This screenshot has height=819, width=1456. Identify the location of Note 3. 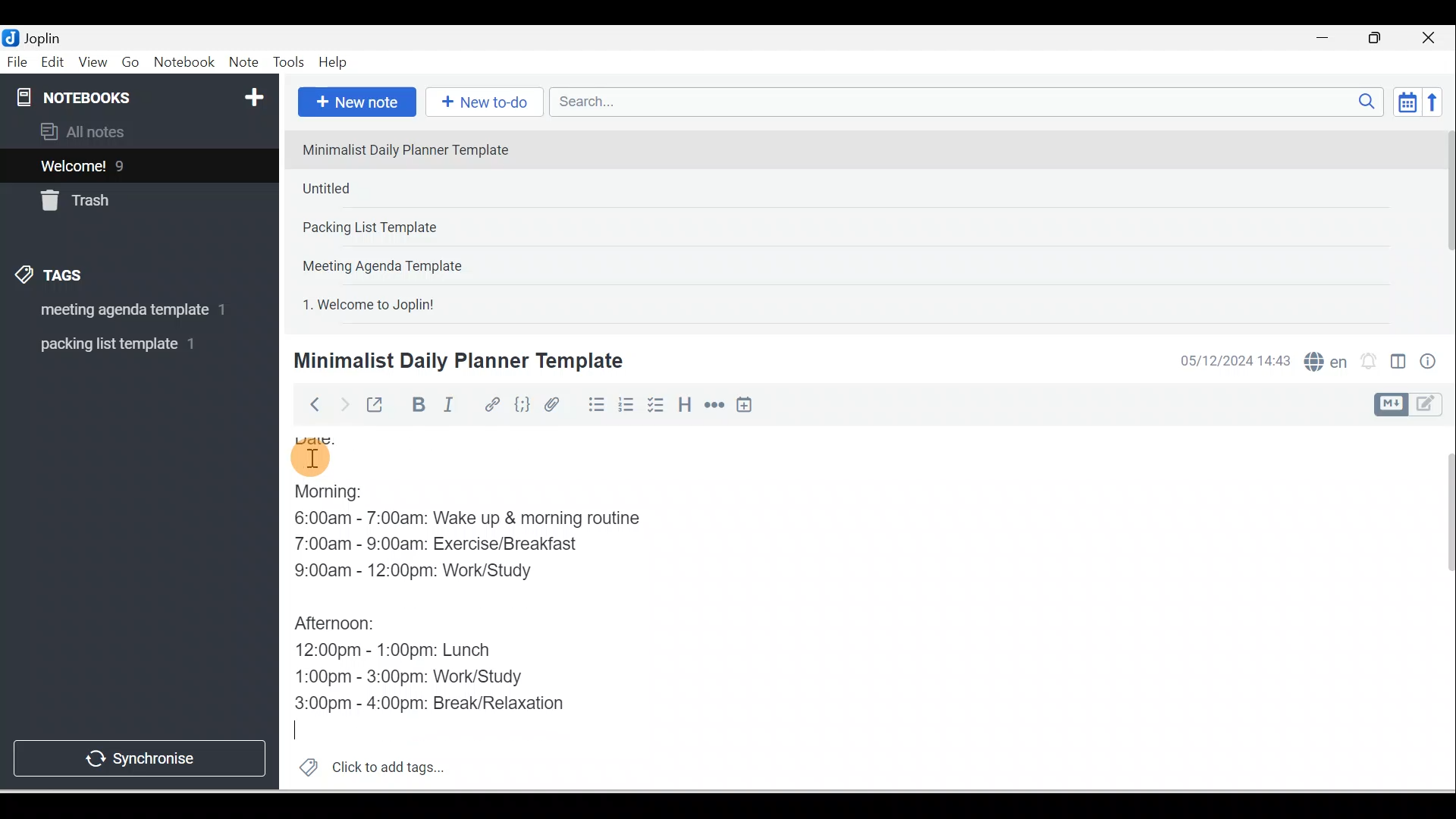
(418, 228).